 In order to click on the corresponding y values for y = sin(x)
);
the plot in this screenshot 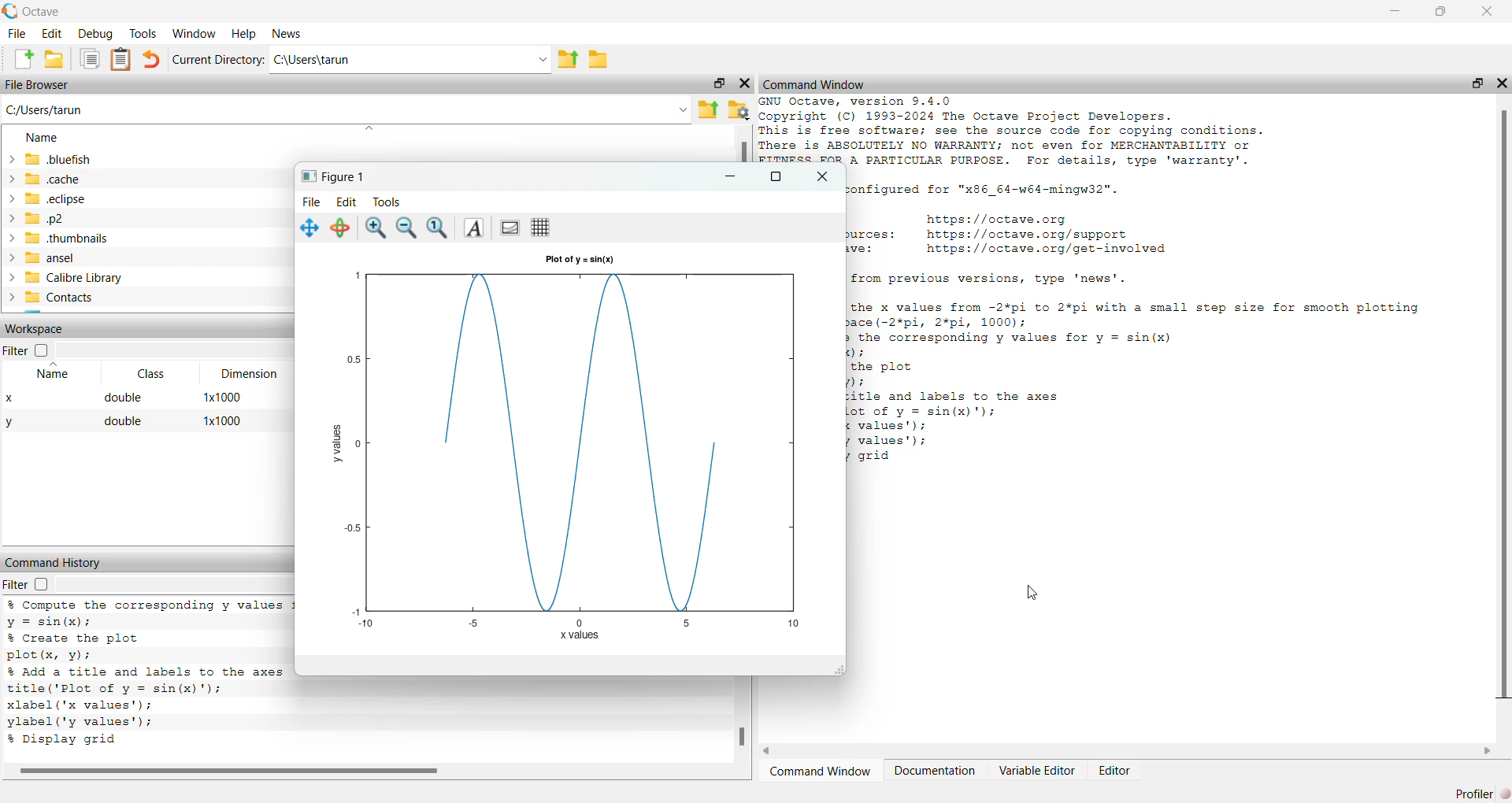, I will do `click(1010, 352)`.